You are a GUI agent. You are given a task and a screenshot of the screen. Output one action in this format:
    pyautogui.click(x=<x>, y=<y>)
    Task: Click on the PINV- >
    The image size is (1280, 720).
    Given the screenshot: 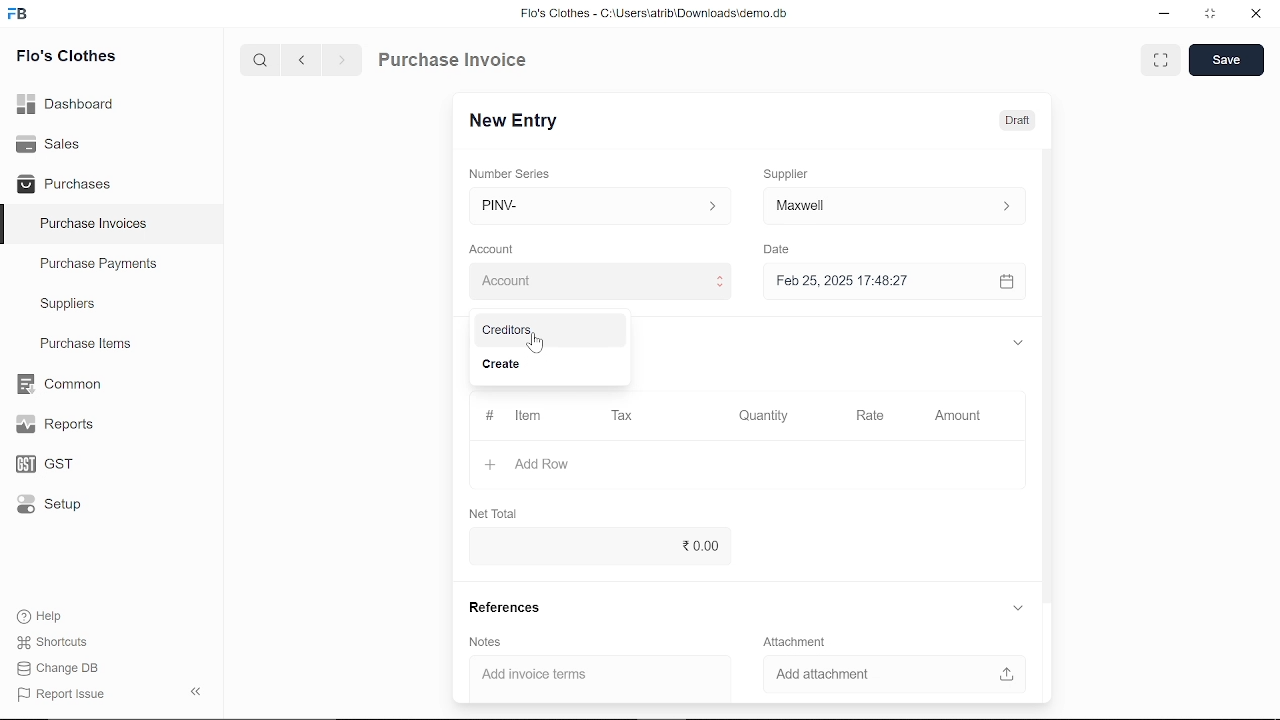 What is the action you would take?
    pyautogui.click(x=602, y=206)
    